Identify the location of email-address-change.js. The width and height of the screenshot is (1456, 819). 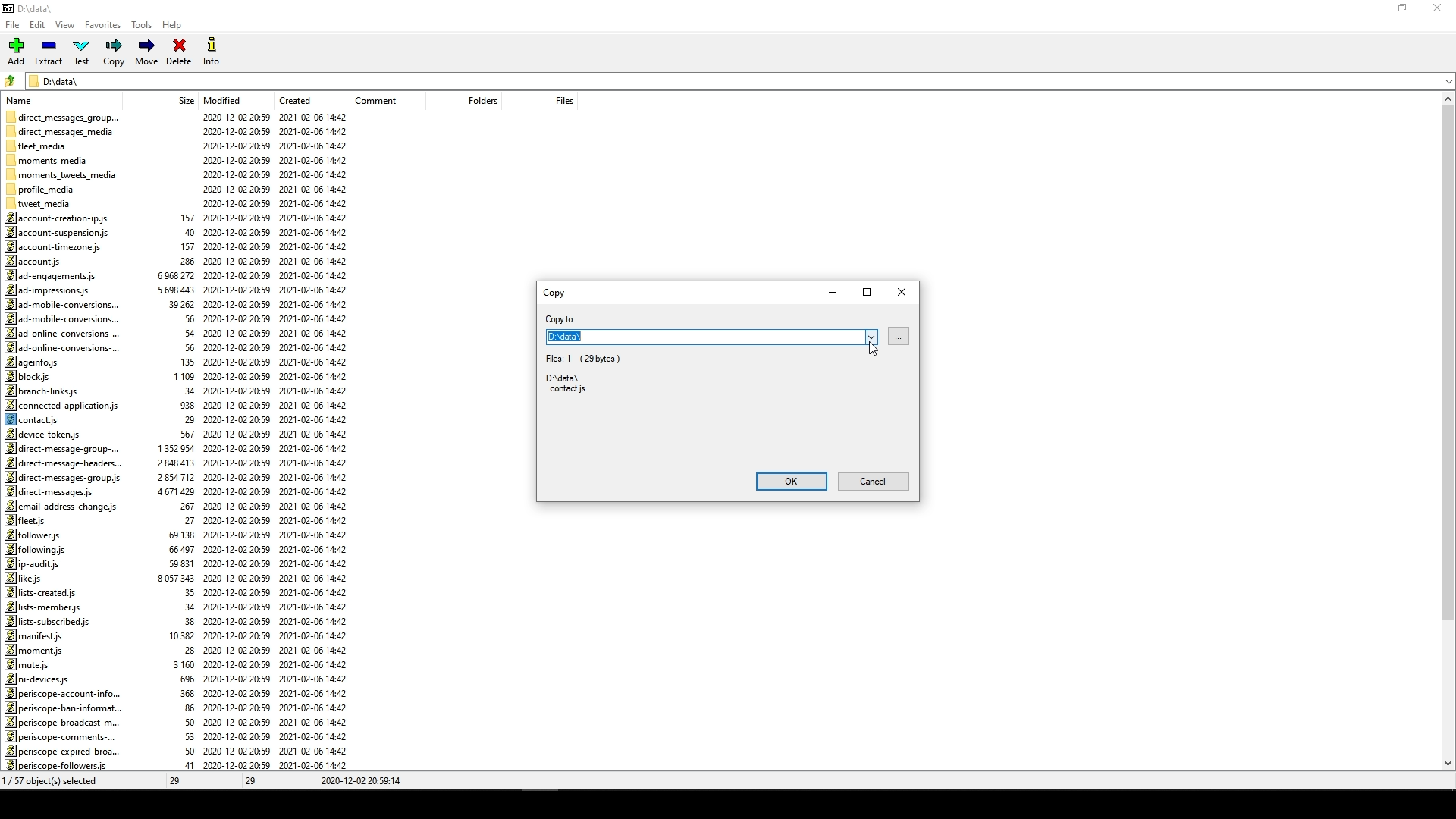
(62, 507).